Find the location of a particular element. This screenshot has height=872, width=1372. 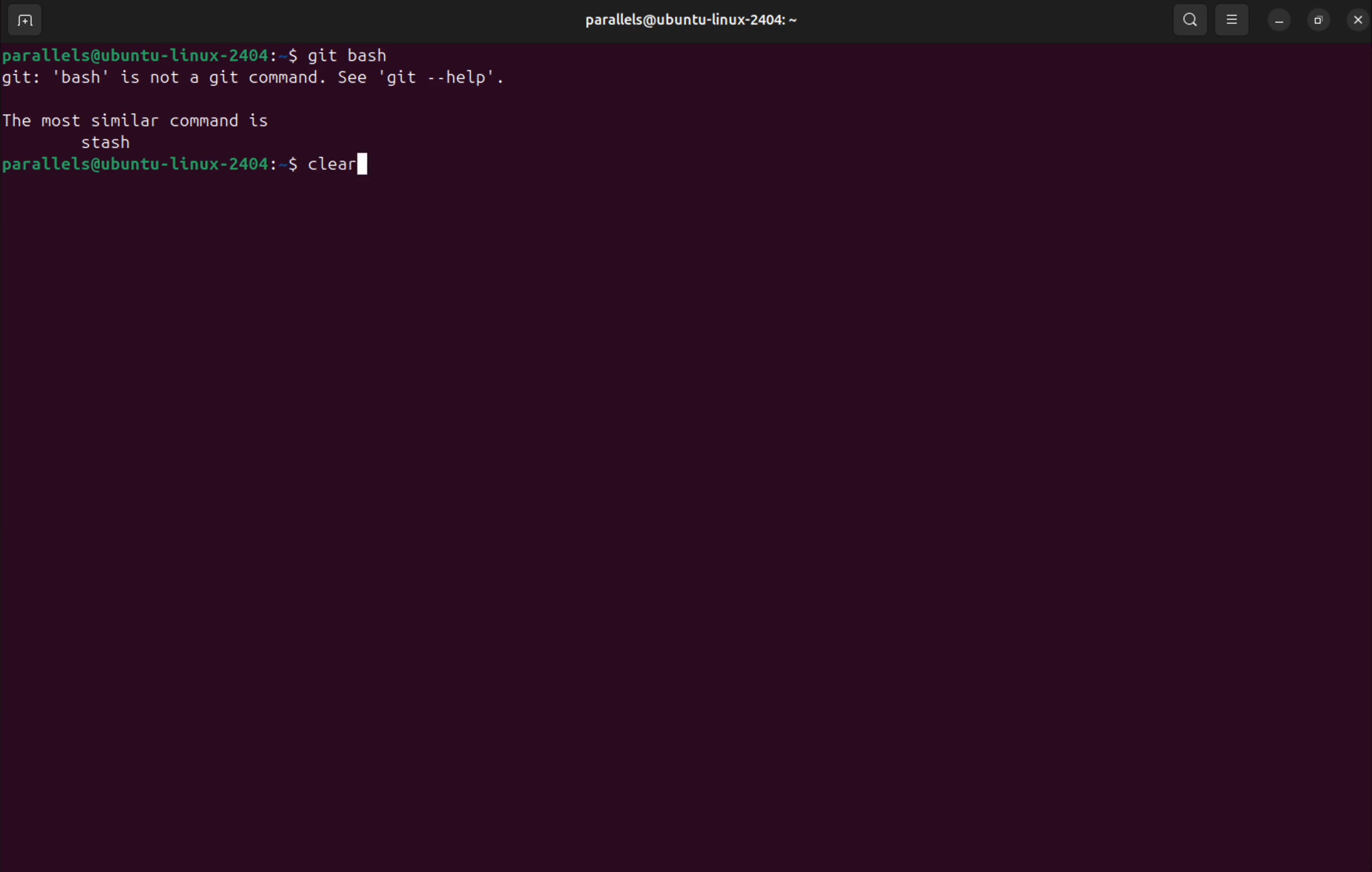

add terminal is located at coordinates (27, 18).